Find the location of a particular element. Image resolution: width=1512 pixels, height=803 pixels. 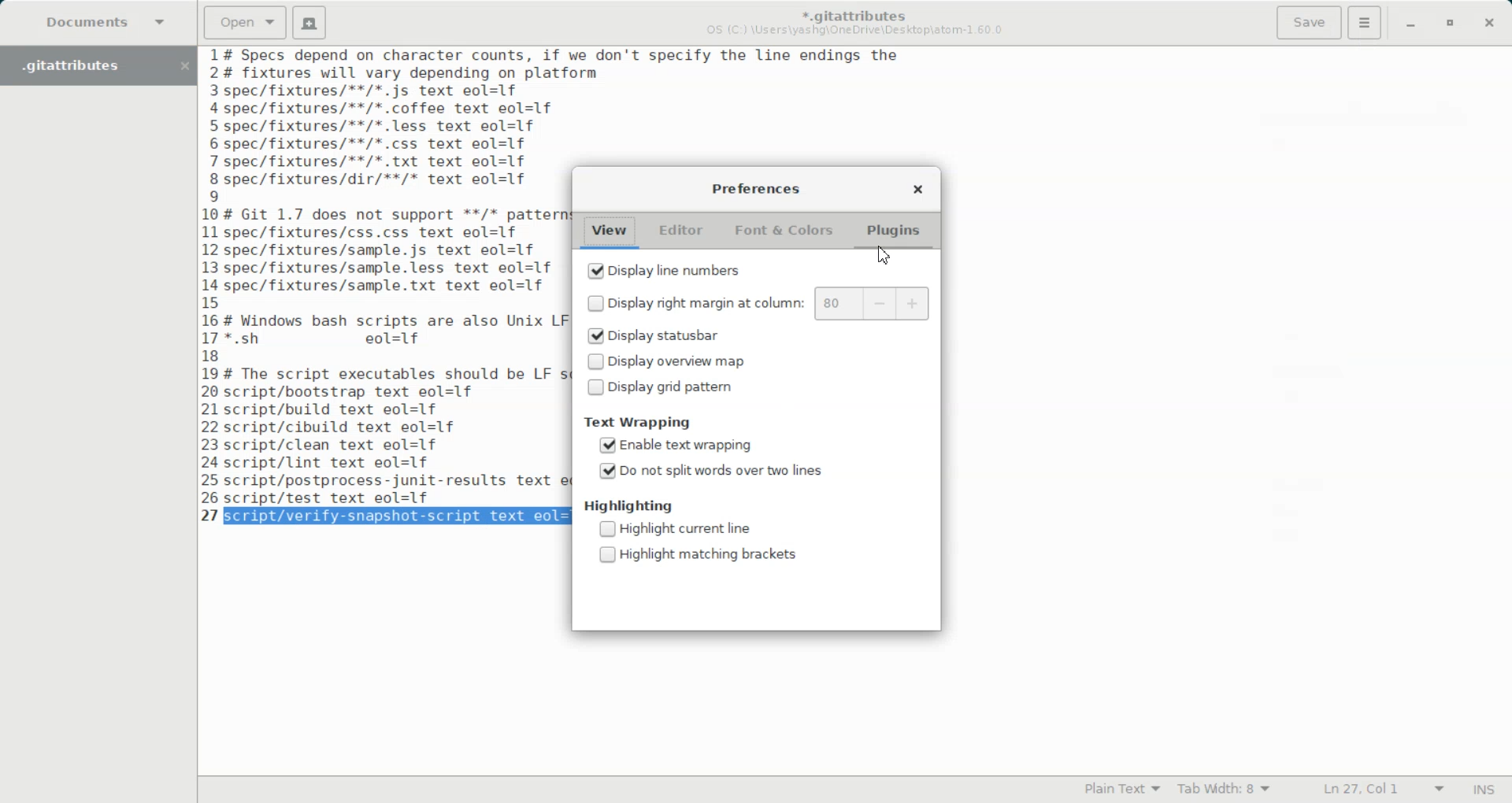

Close Folder is located at coordinates (183, 66).